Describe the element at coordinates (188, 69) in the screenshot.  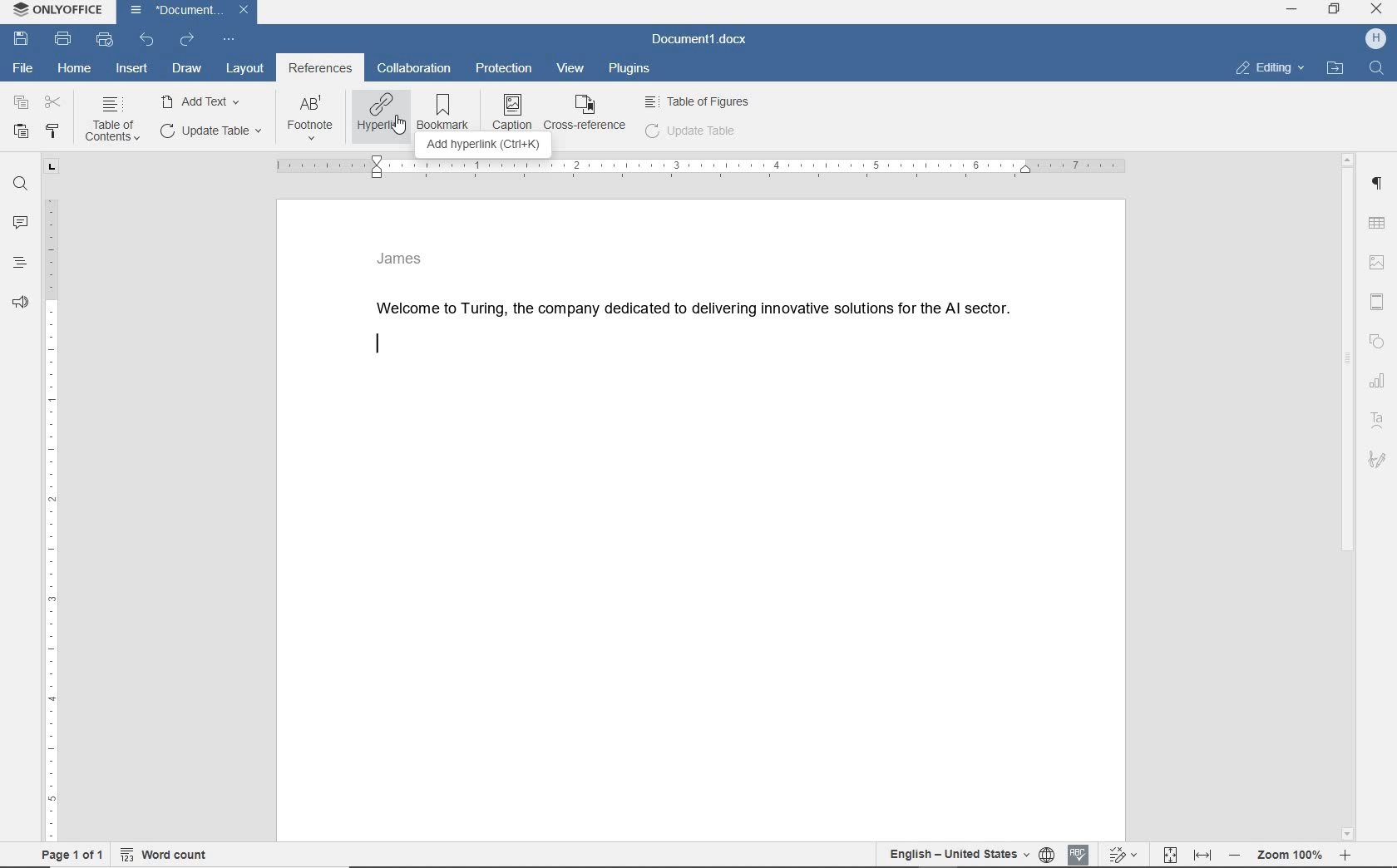
I see `draw` at that location.